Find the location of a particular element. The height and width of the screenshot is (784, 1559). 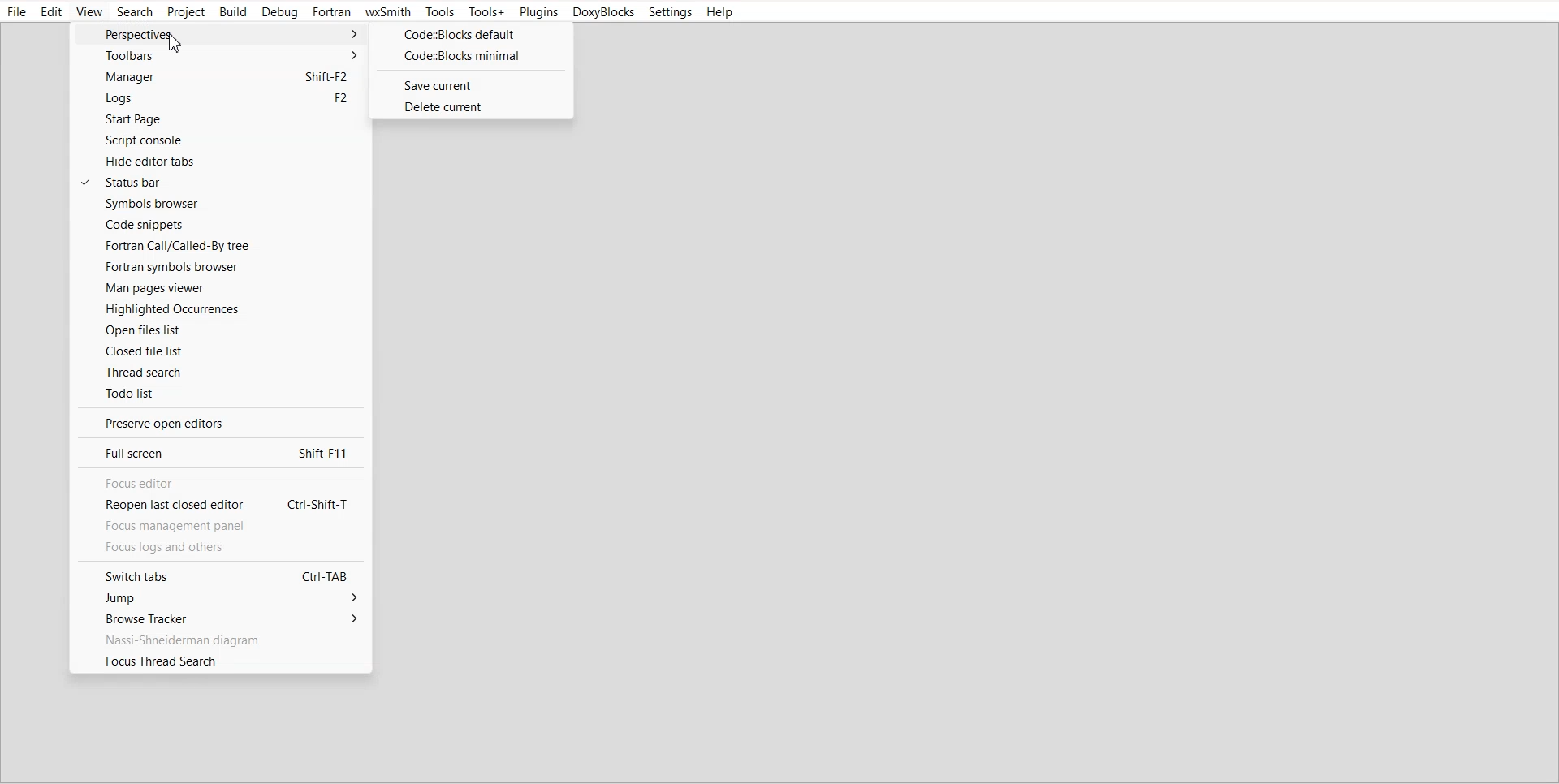

Edit is located at coordinates (52, 12).